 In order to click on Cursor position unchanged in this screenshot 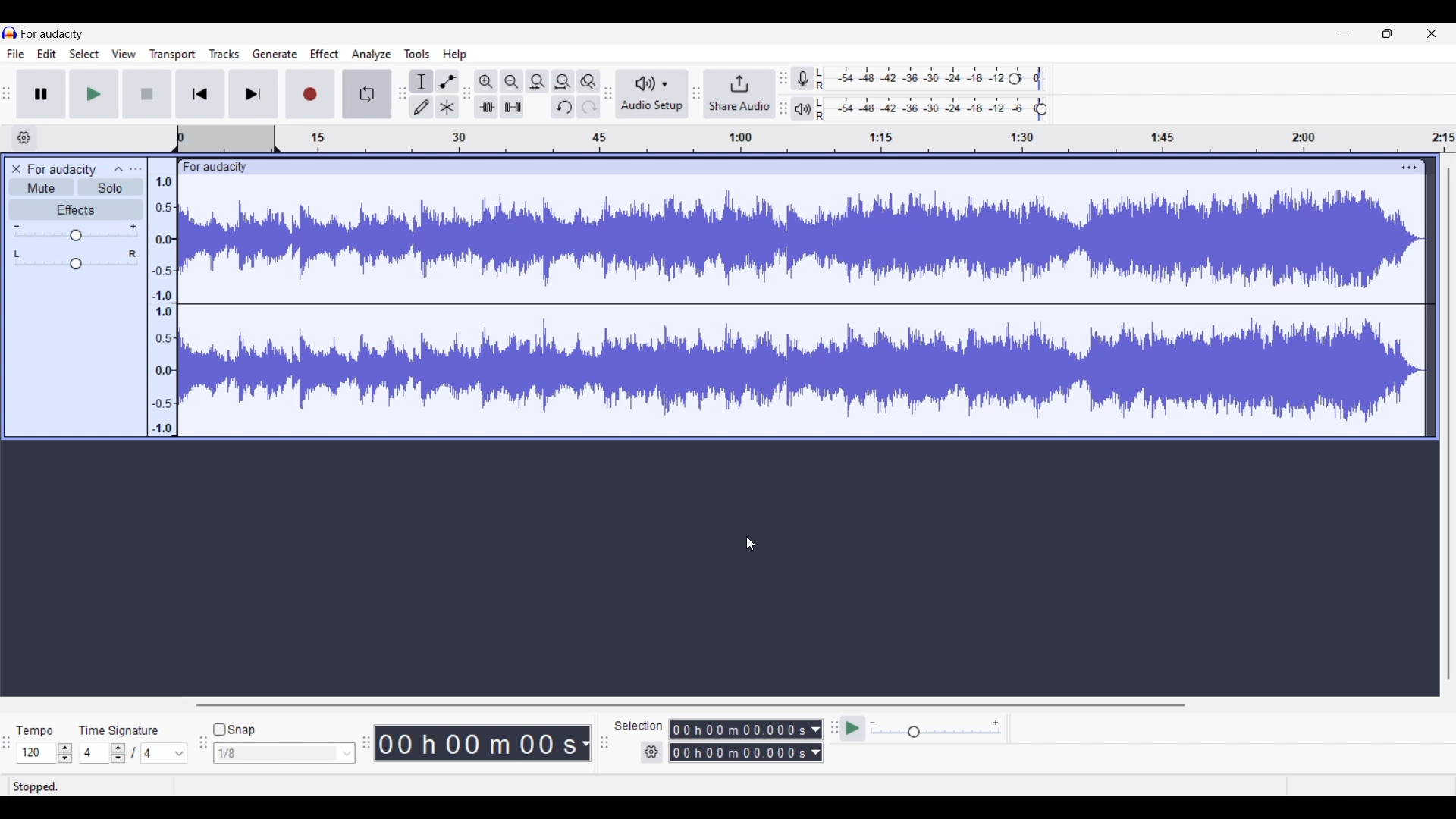, I will do `click(749, 544)`.